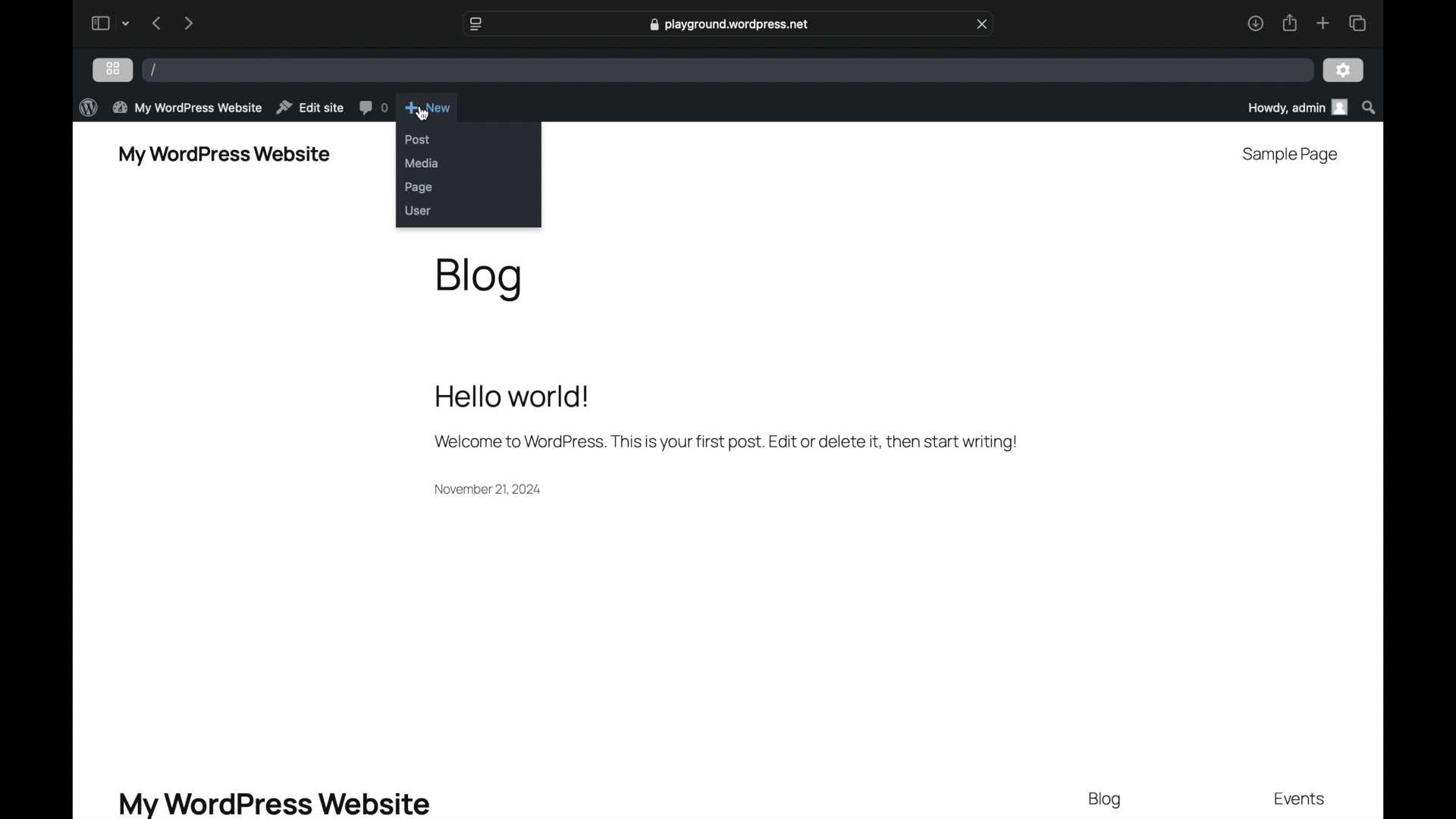  Describe the element at coordinates (1357, 22) in the screenshot. I see `show tab overview` at that location.